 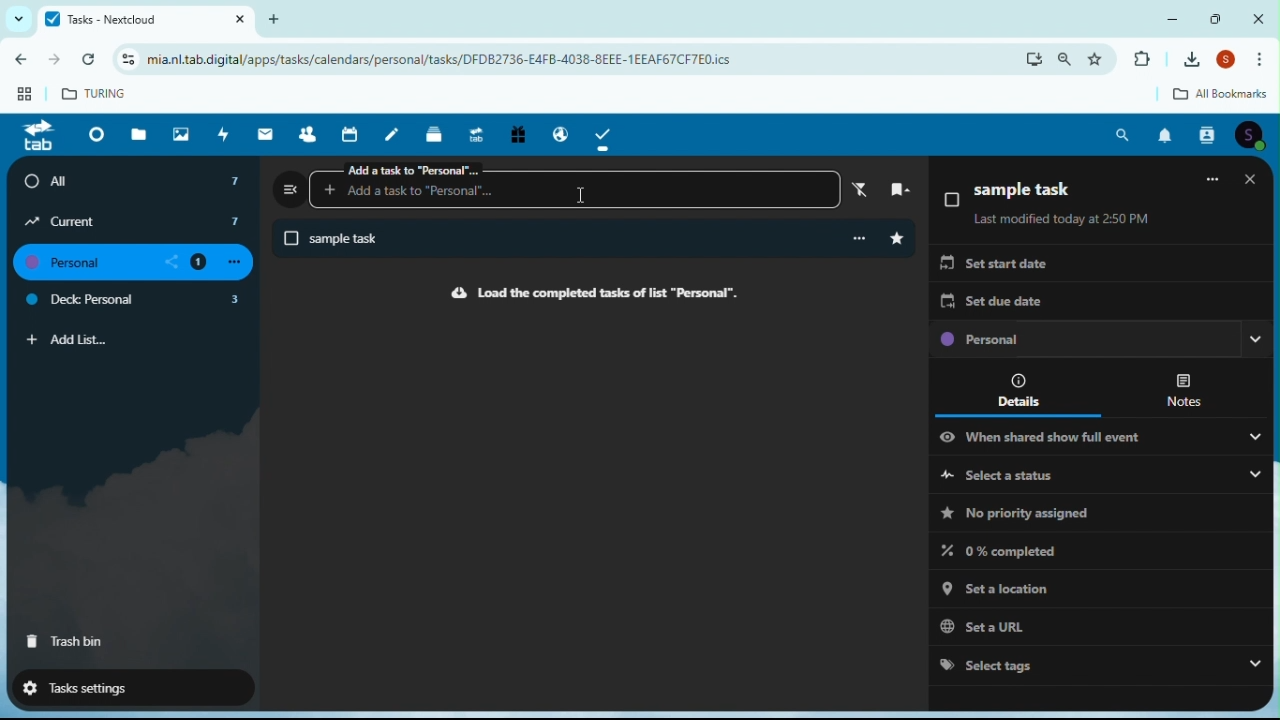 I want to click on Task created, so click(x=549, y=240).